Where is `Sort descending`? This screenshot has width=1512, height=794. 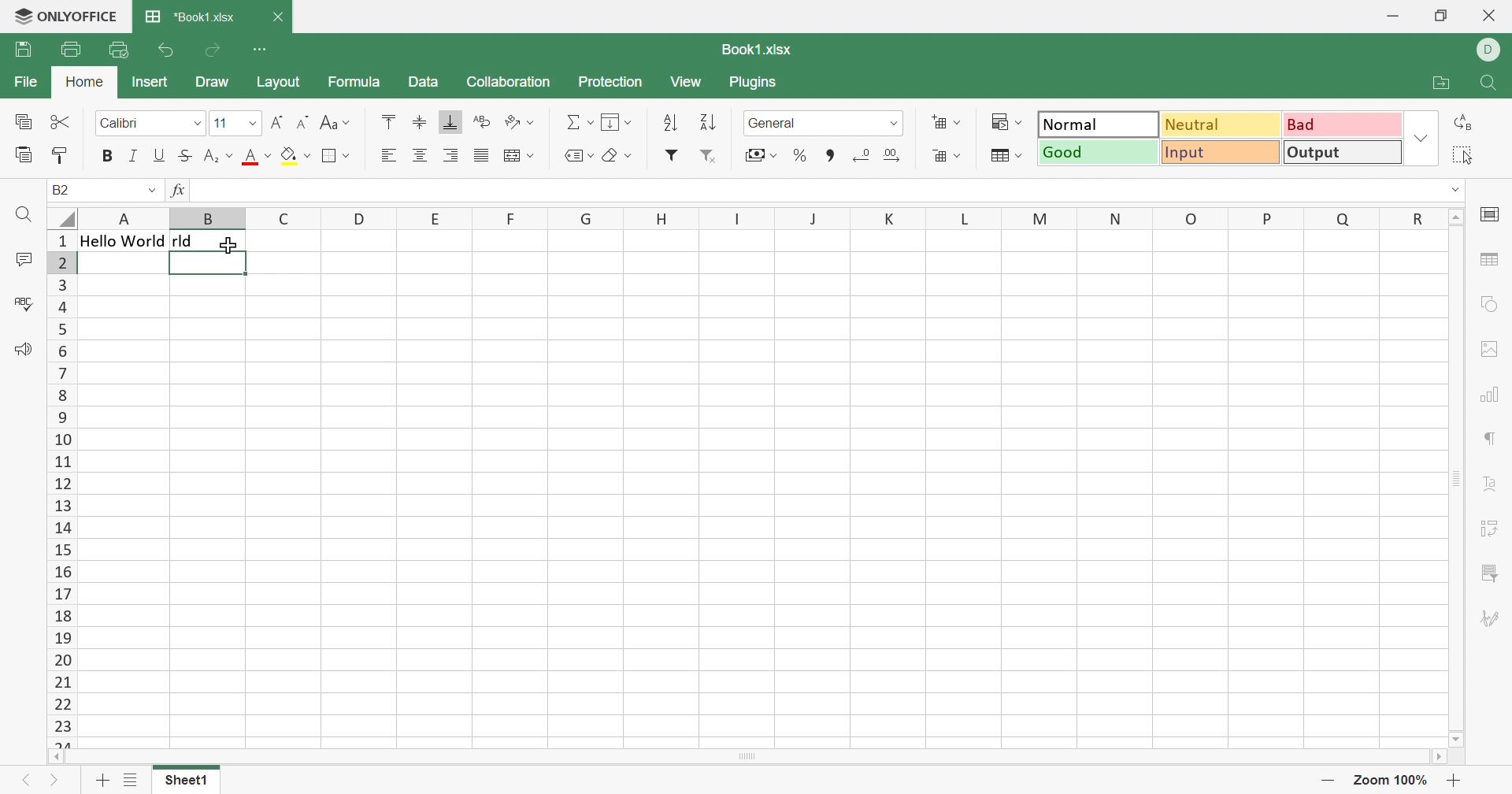 Sort descending is located at coordinates (713, 123).